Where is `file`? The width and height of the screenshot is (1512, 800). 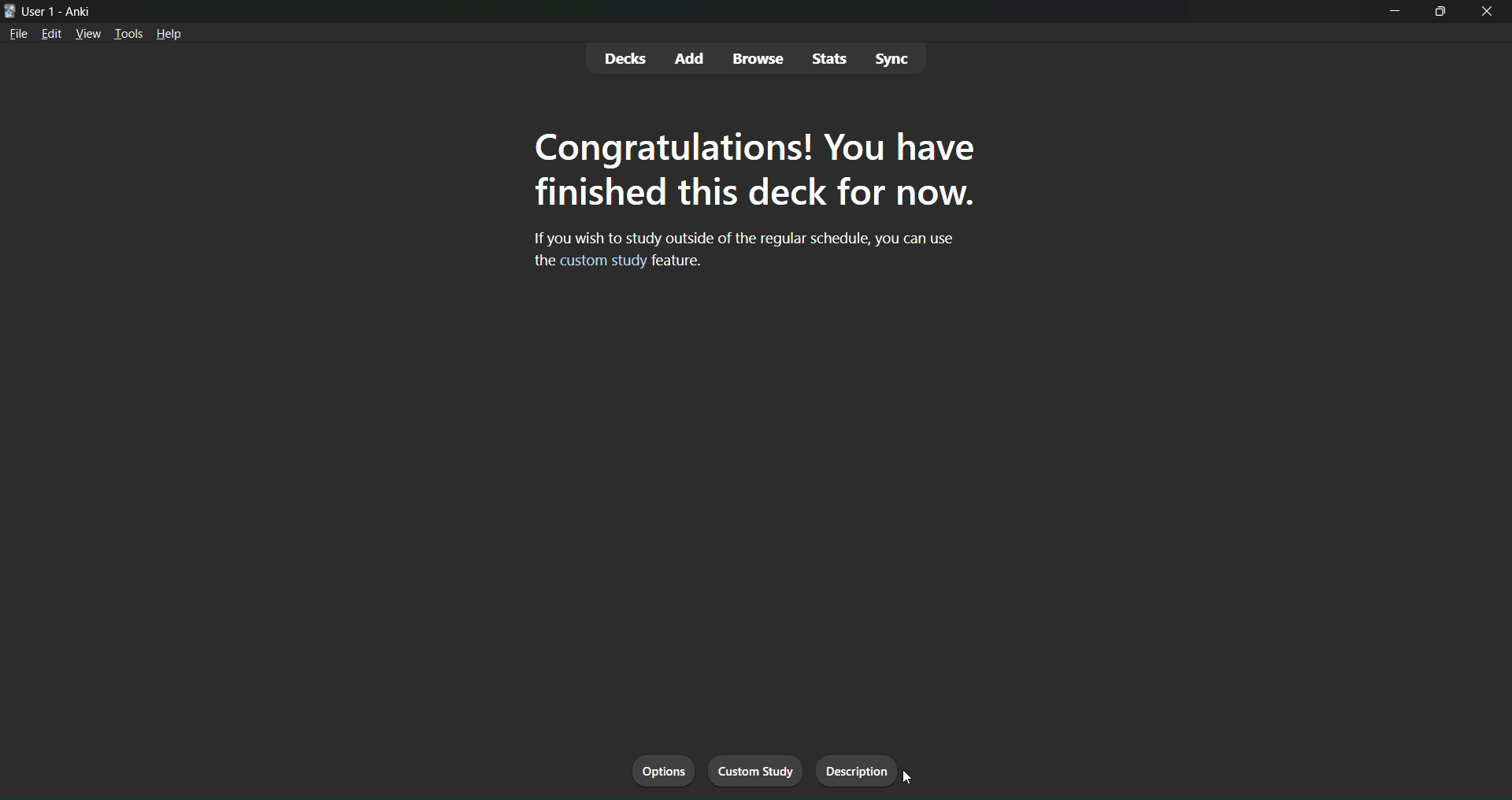 file is located at coordinates (18, 37).